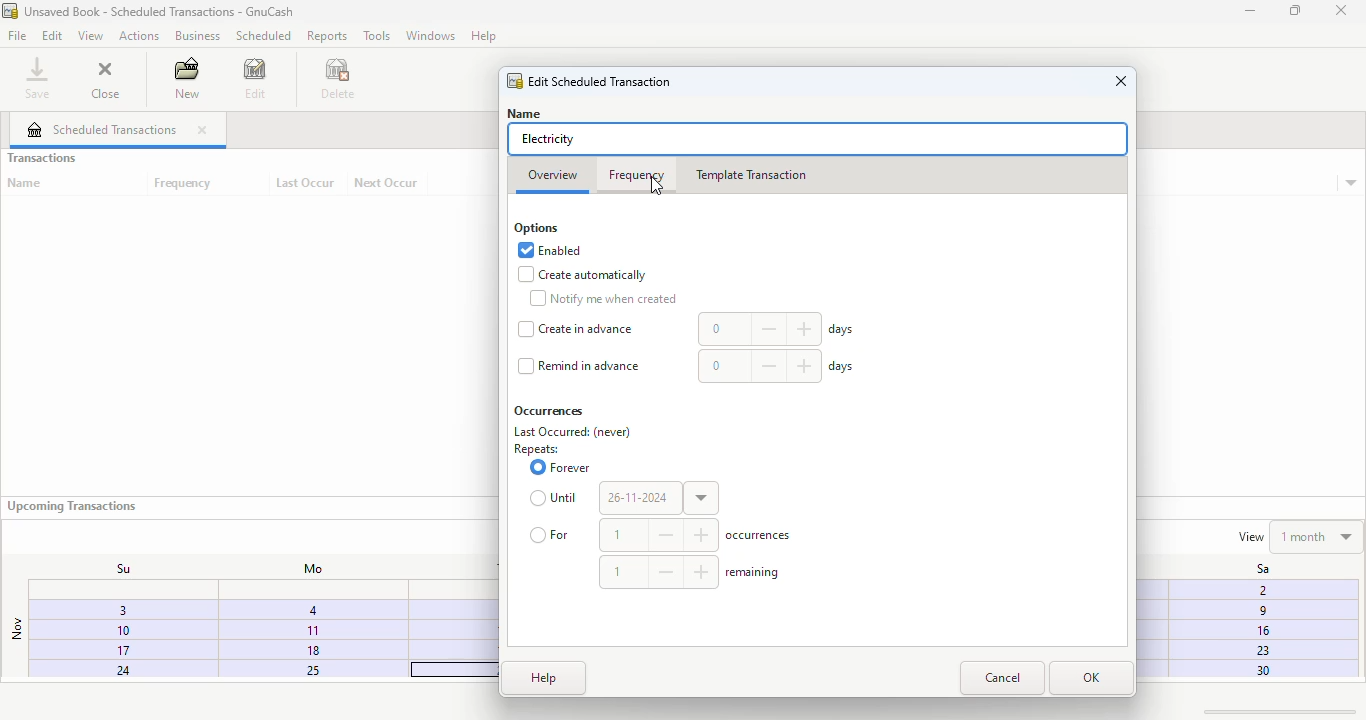 The height and width of the screenshot is (720, 1366). What do you see at coordinates (1259, 589) in the screenshot?
I see `Fi` at bounding box center [1259, 589].